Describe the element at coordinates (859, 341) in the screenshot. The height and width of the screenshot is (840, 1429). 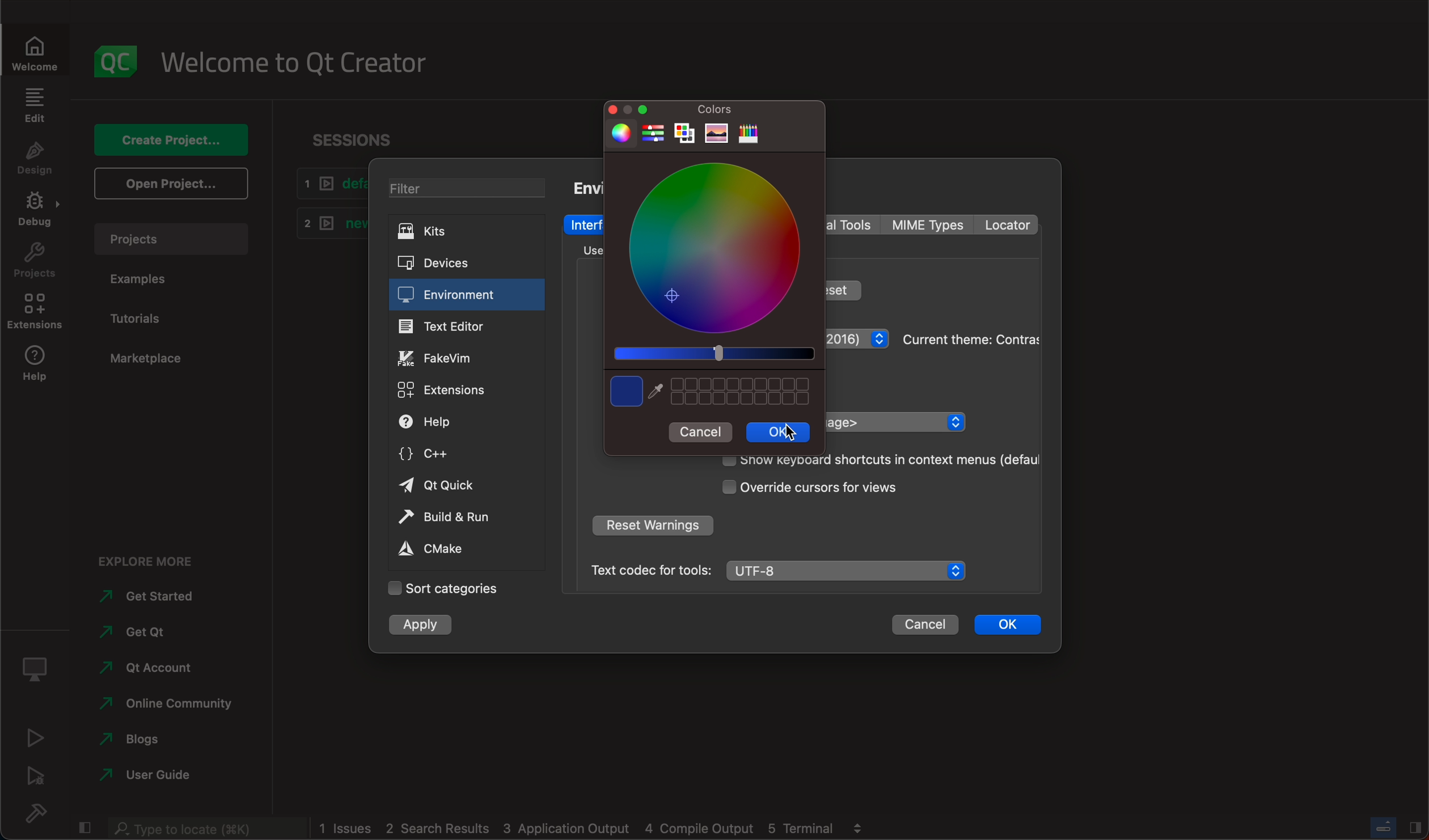
I see `theme` at that location.